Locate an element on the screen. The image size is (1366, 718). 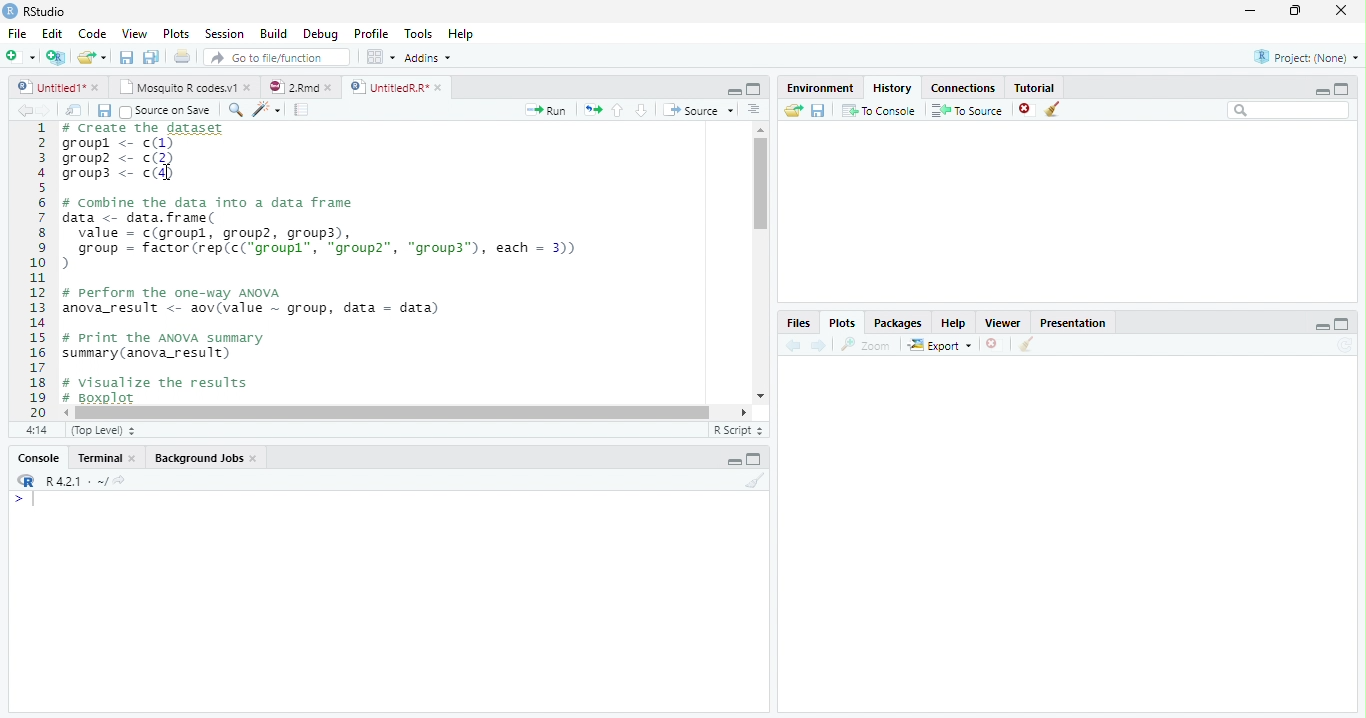
geom boxplot() + Tabs(title = “soxplot of values by Group”, x = “Group”, y = “"value") +theme_minimal ()# mean plot with ggplot2group_means <- aggregate(value ~ group, data = data, mean)ggplot(group_means, aes(x = group, y = value, group = 1)) + #group=1 needed for line pgeon_line() +geon_point() +Tabs(title = “Mean Plot of values by Group”, x = “Group”, y = “Mean value") +theme_minimal ()# Tukey's Hsp for pairwise comparisons (post-hoc test)tukey_result <- TukeyHsD(anova_result)print (tukey_result)#visualize Tukey's HSD results is located at coordinates (400, 264).